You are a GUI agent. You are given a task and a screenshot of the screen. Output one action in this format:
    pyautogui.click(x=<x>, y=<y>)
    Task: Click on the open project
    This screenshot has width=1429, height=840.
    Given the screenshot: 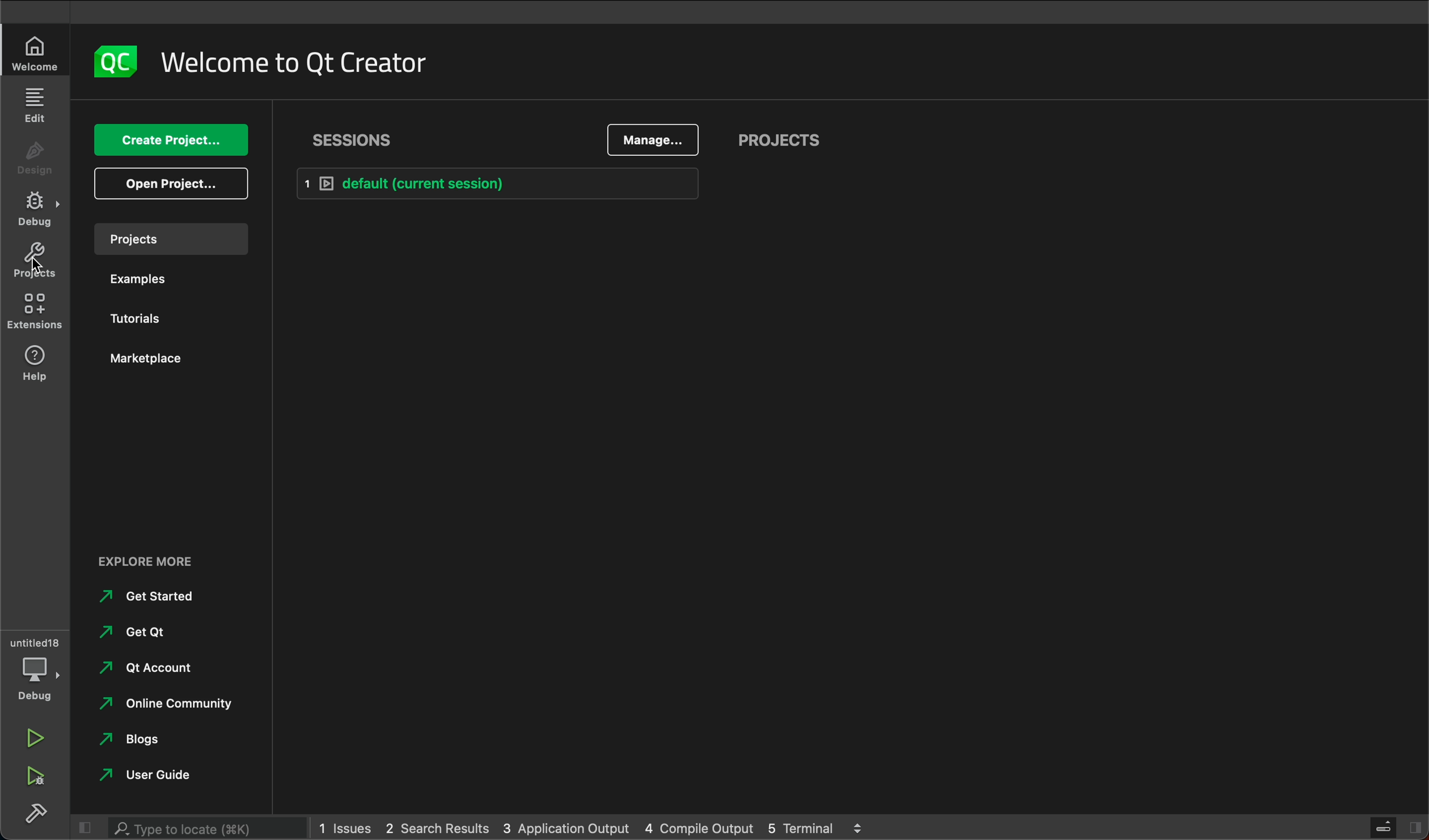 What is the action you would take?
    pyautogui.click(x=173, y=181)
    